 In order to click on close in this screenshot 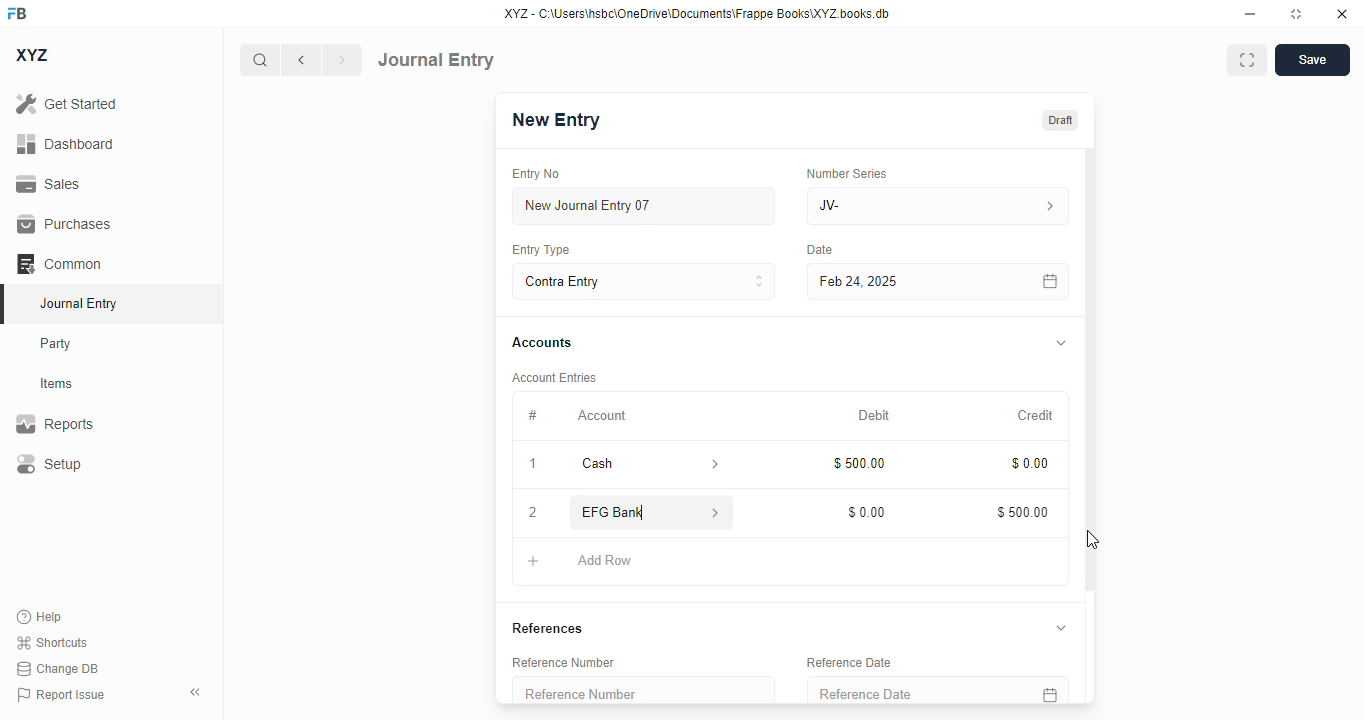, I will do `click(1342, 14)`.